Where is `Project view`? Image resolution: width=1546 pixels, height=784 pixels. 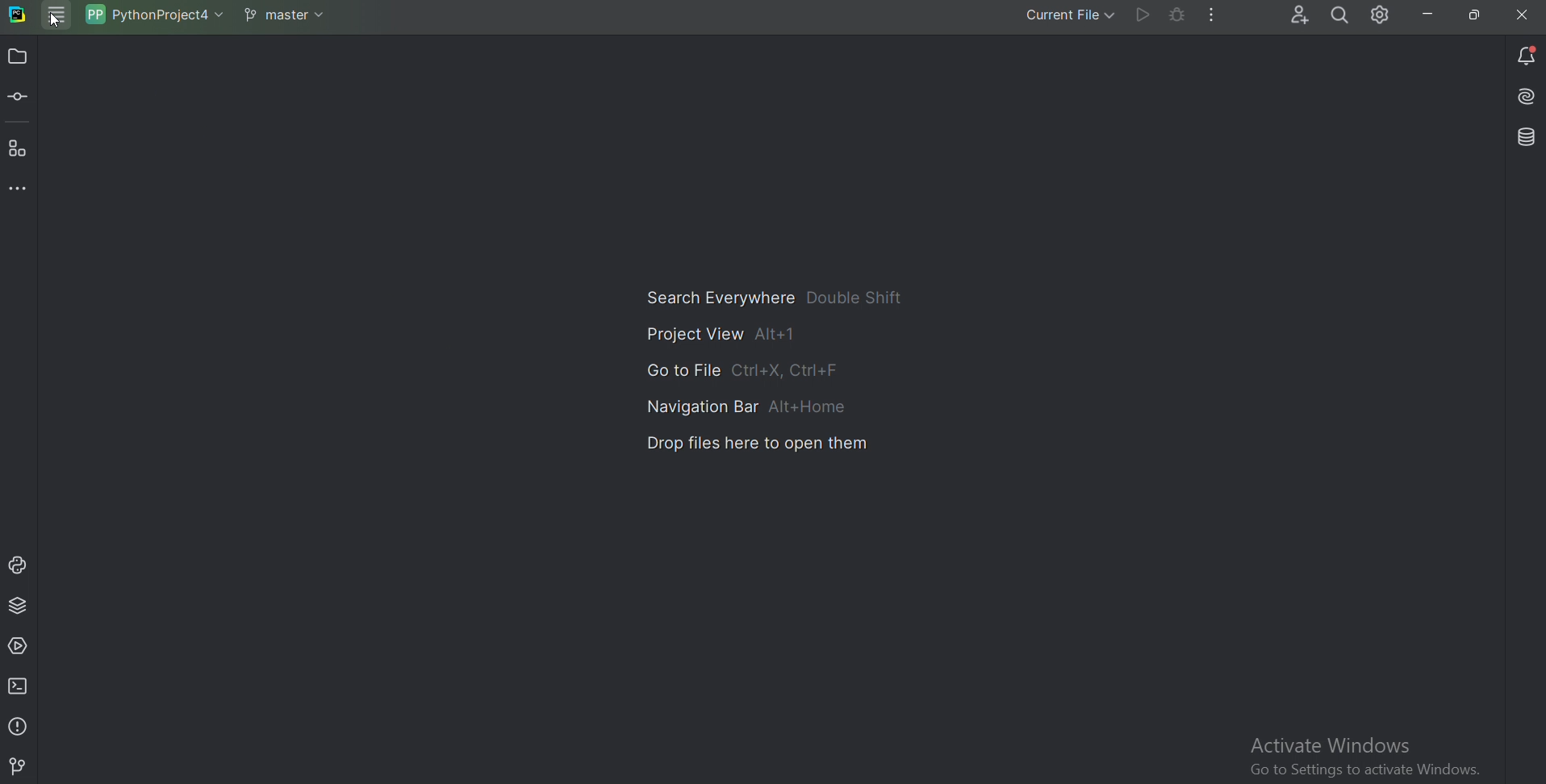 Project view is located at coordinates (707, 336).